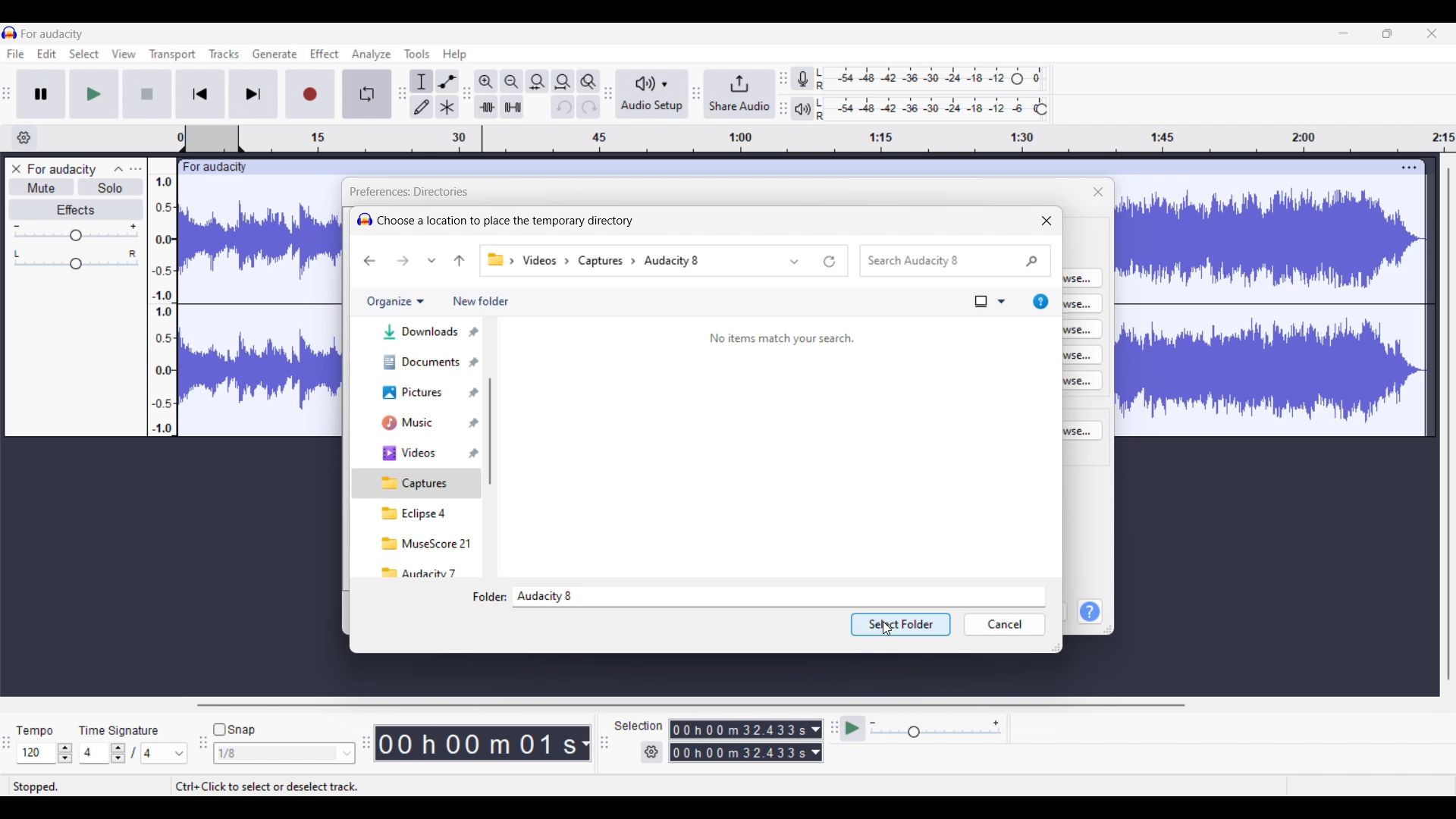 This screenshot has height=819, width=1456. What do you see at coordinates (593, 260) in the screenshot?
I see `Pathway of current folder changed` at bounding box center [593, 260].